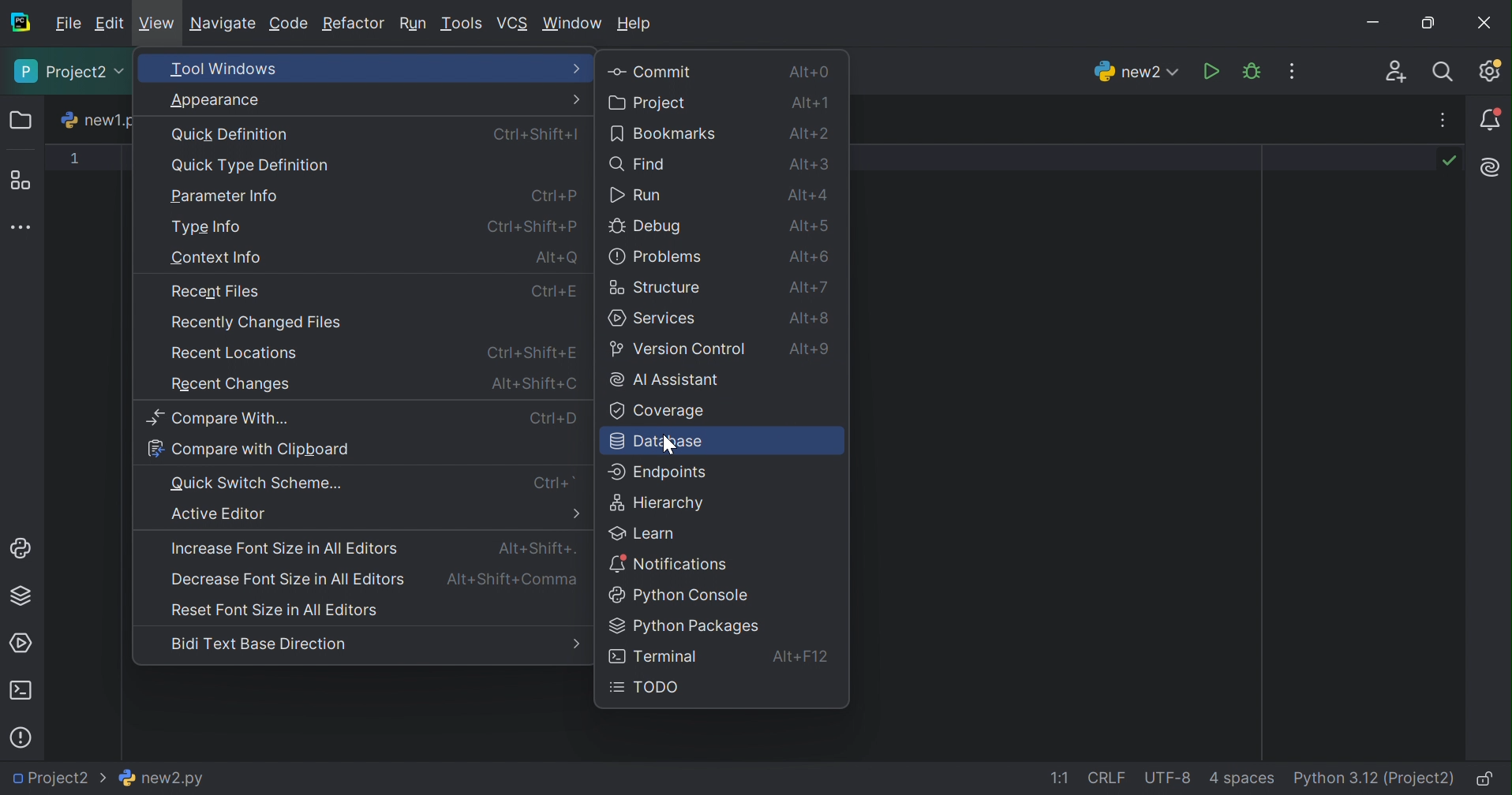 The width and height of the screenshot is (1512, 795). What do you see at coordinates (1493, 118) in the screenshot?
I see `Notifications` at bounding box center [1493, 118].